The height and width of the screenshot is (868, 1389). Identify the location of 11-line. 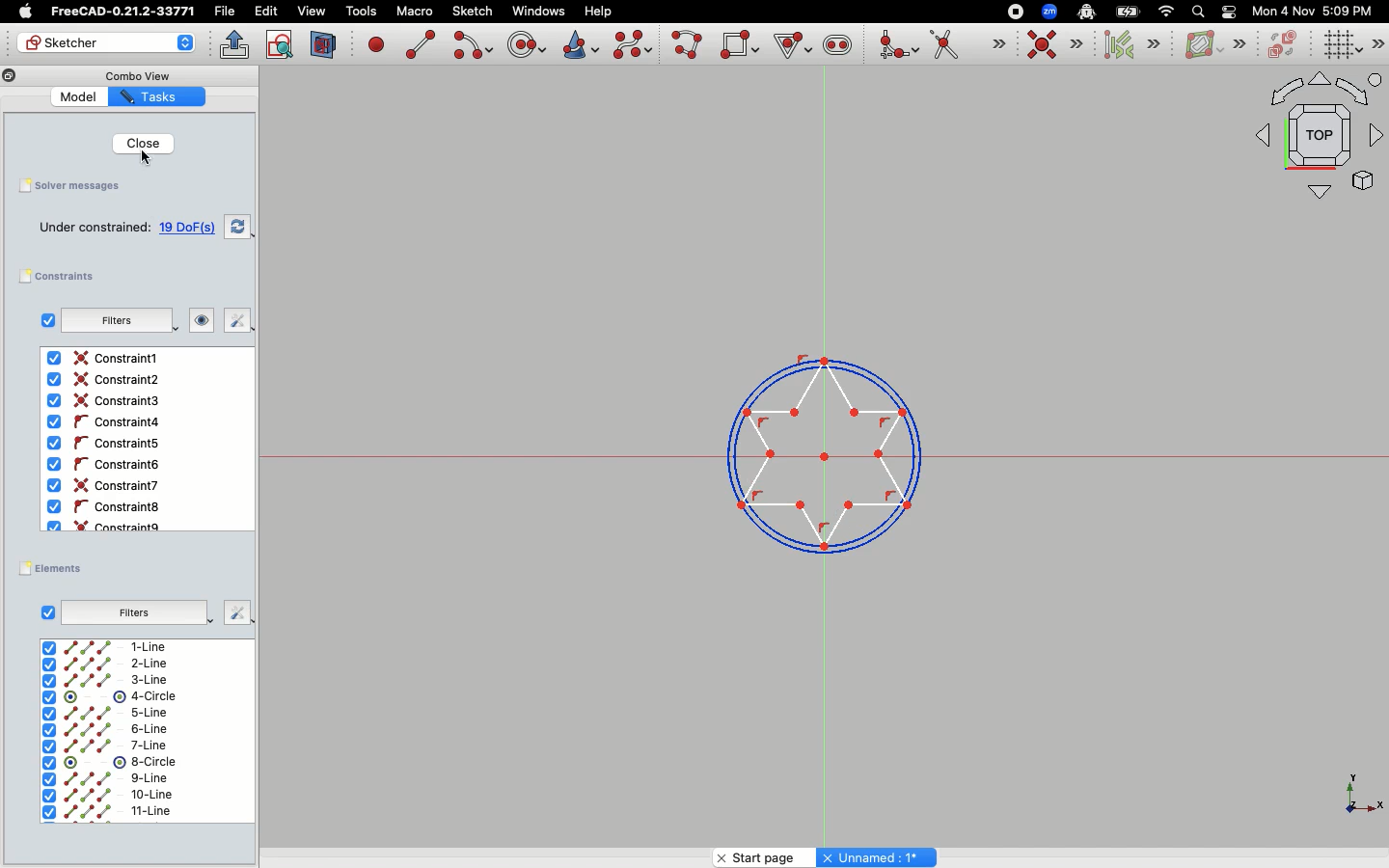
(106, 811).